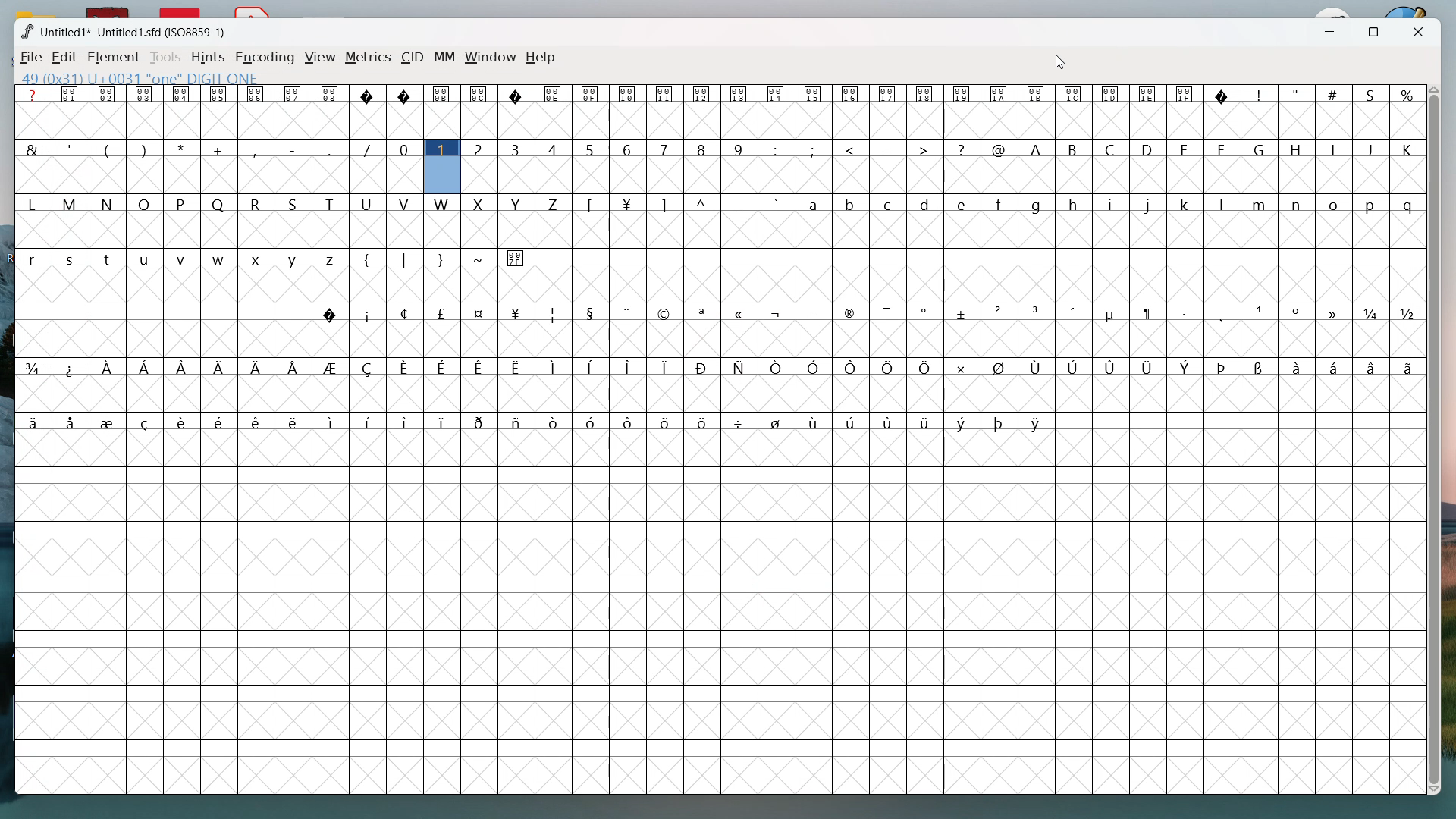  Describe the element at coordinates (405, 147) in the screenshot. I see `0` at that location.